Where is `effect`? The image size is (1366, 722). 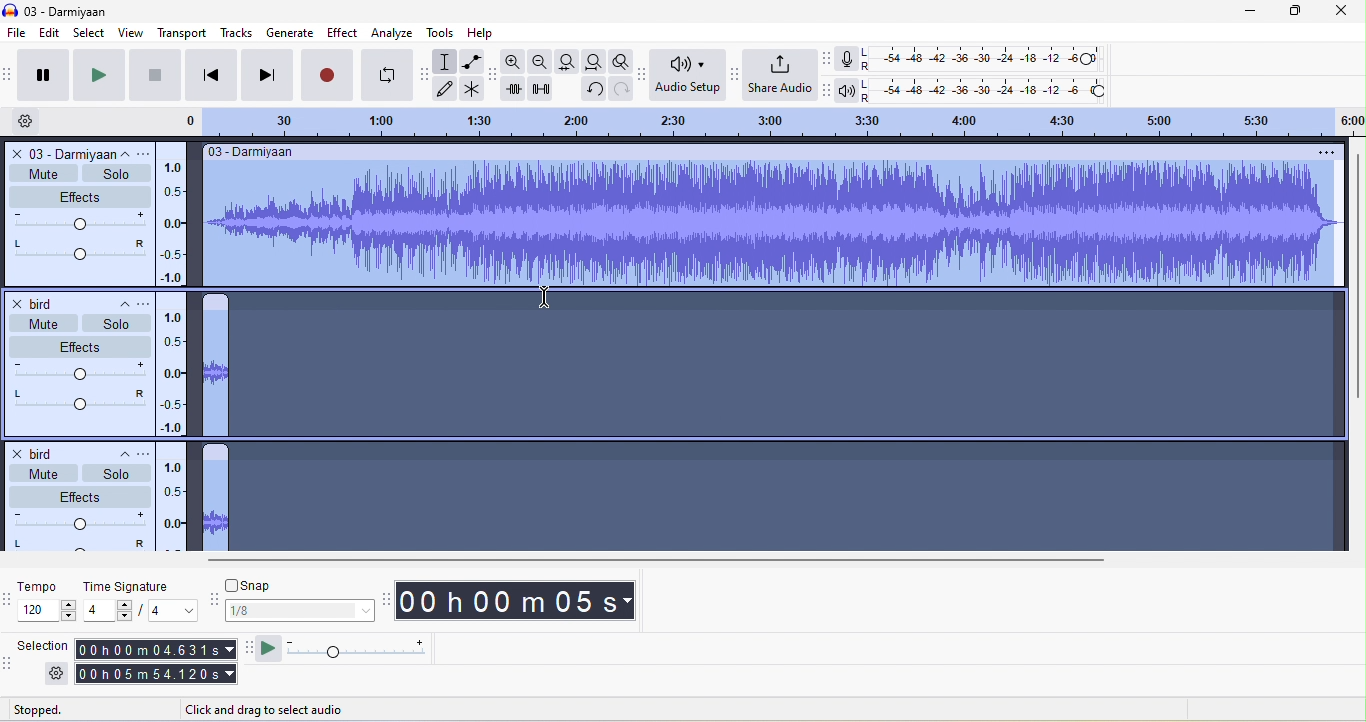
effect is located at coordinates (342, 34).